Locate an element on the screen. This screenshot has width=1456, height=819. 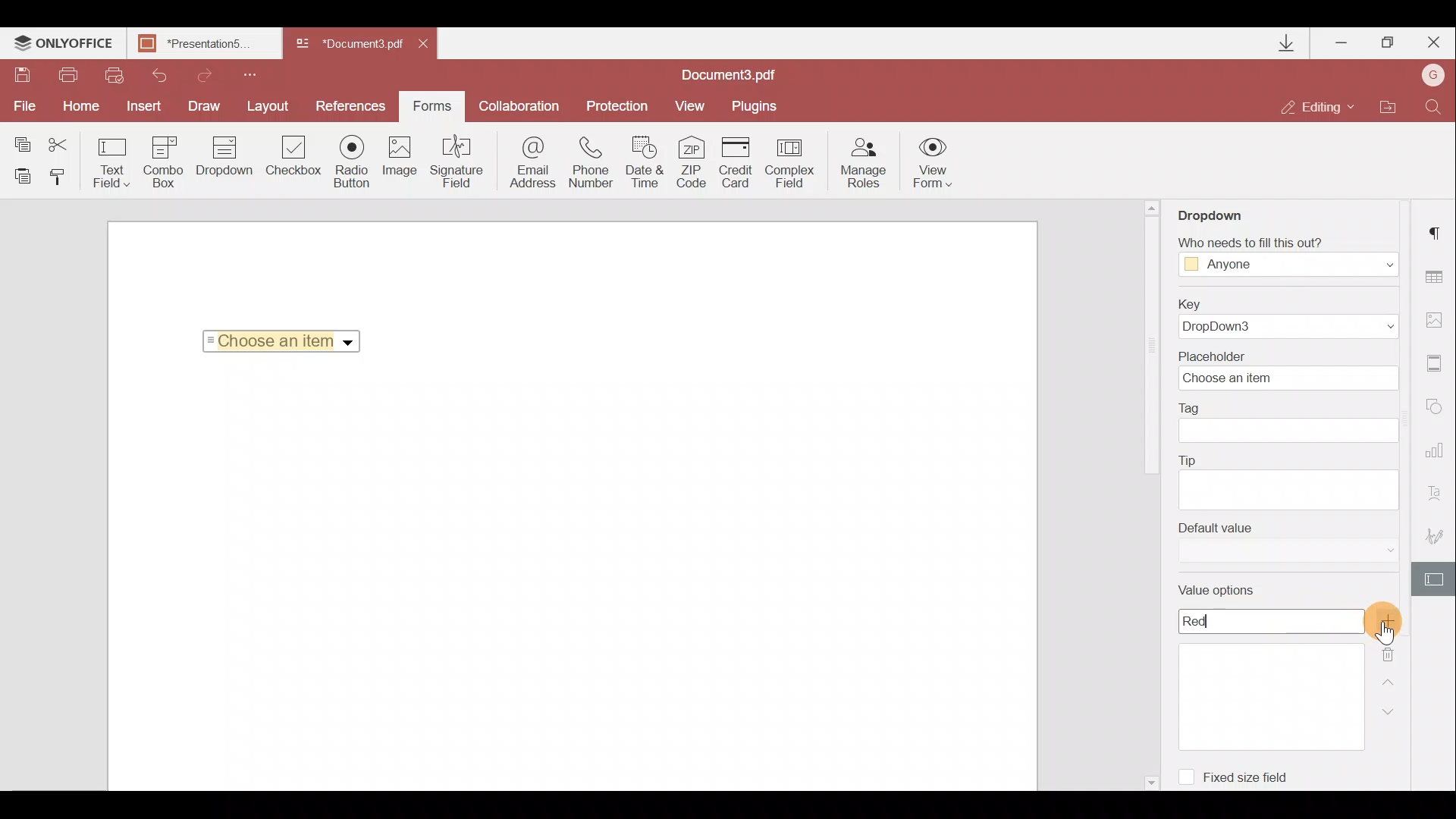
Home is located at coordinates (85, 107).